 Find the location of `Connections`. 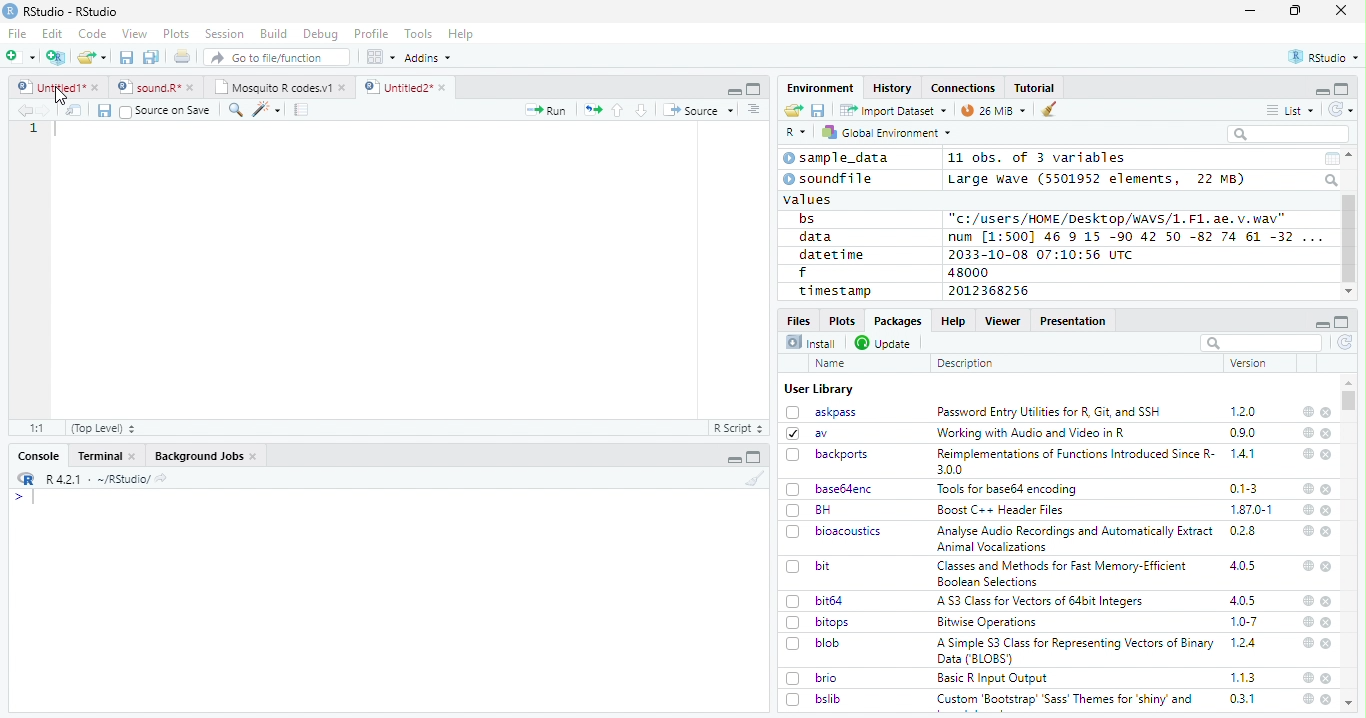

Connections is located at coordinates (962, 88).